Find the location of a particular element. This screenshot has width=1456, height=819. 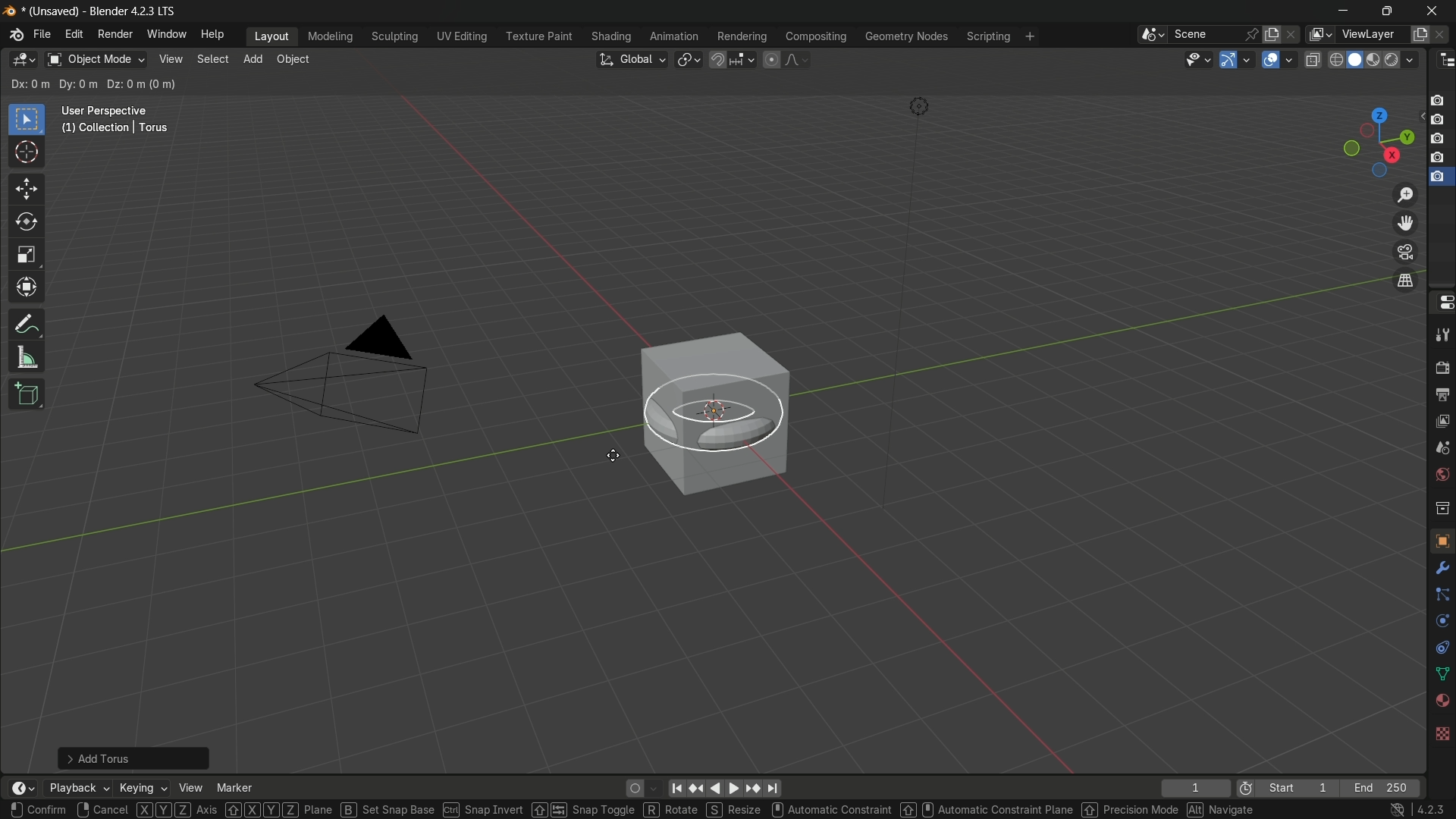

Add Torus is located at coordinates (136, 757).